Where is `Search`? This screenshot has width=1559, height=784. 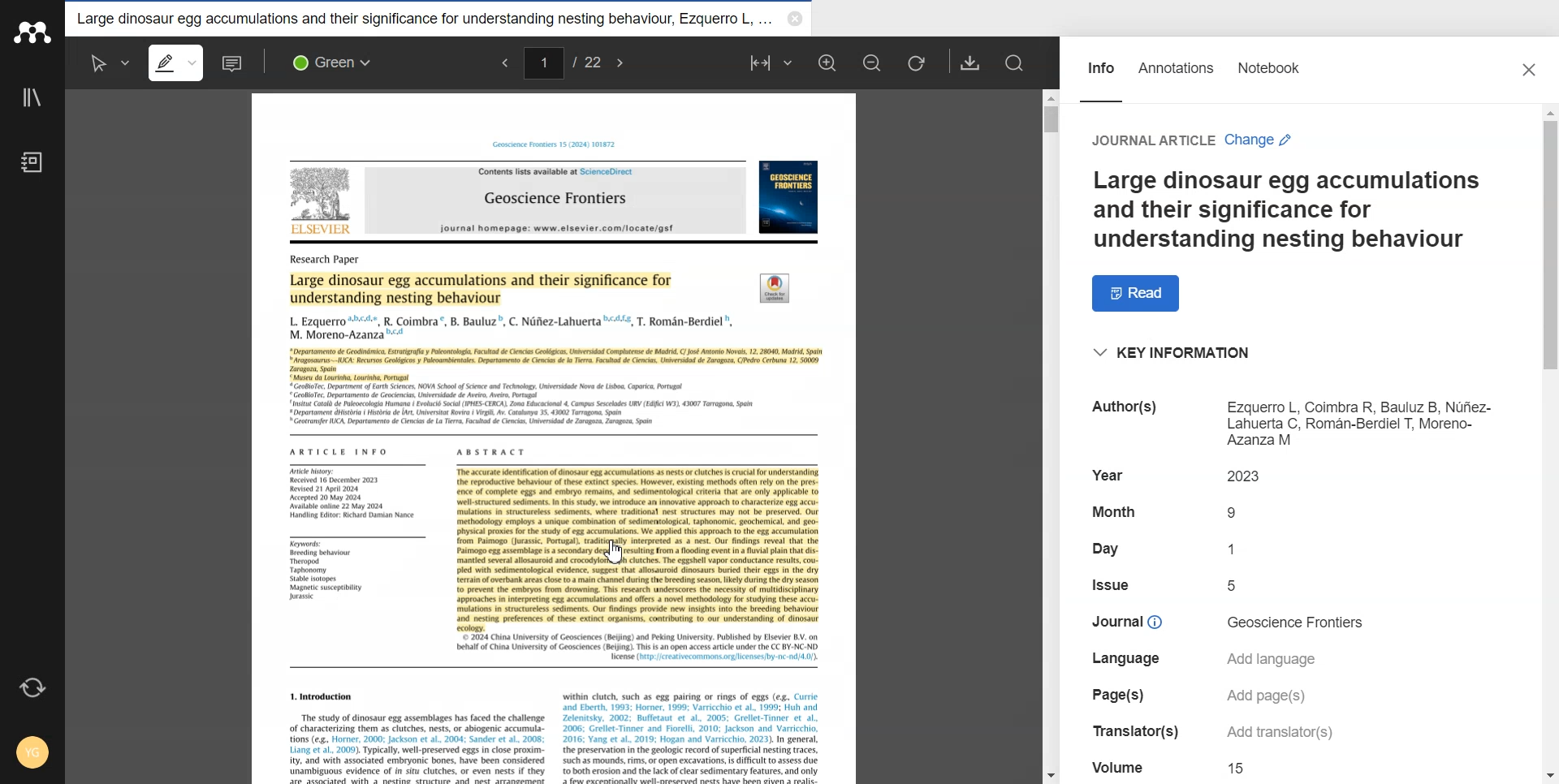 Search is located at coordinates (1017, 64).